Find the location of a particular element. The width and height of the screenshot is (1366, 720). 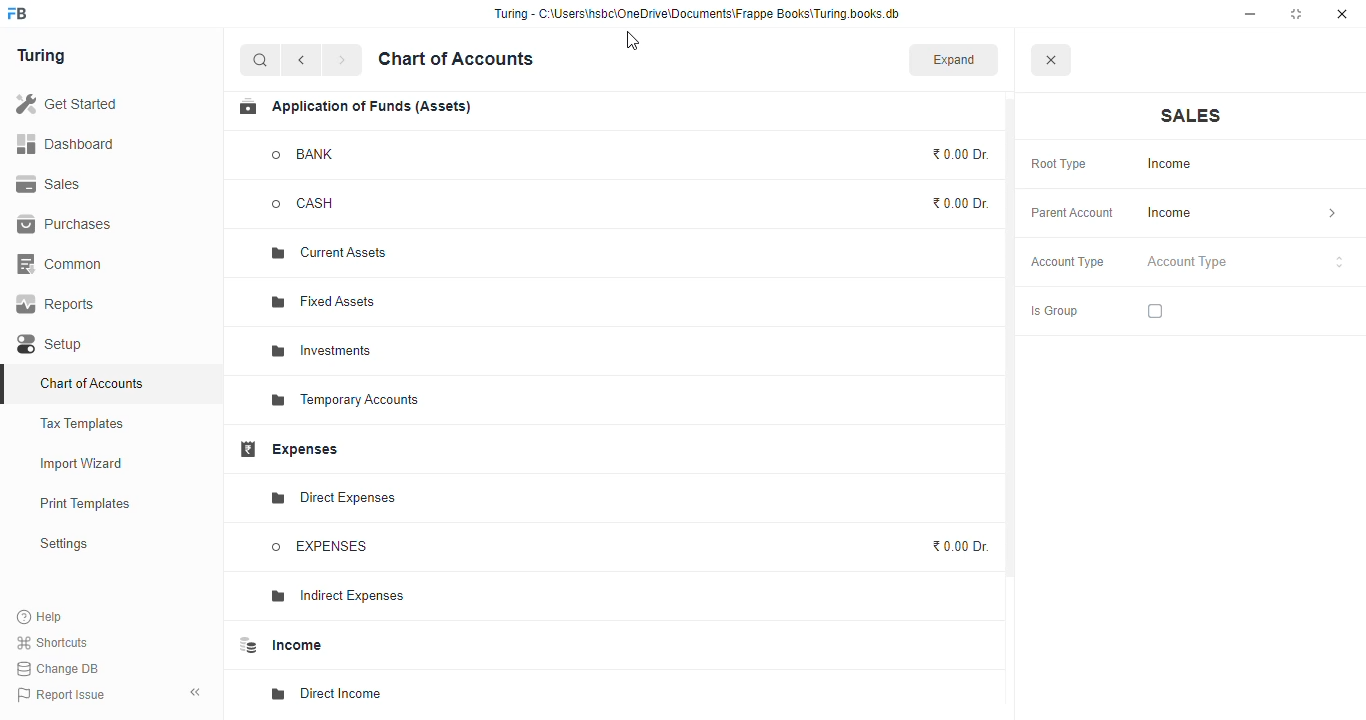

chart of accounts is located at coordinates (92, 383).